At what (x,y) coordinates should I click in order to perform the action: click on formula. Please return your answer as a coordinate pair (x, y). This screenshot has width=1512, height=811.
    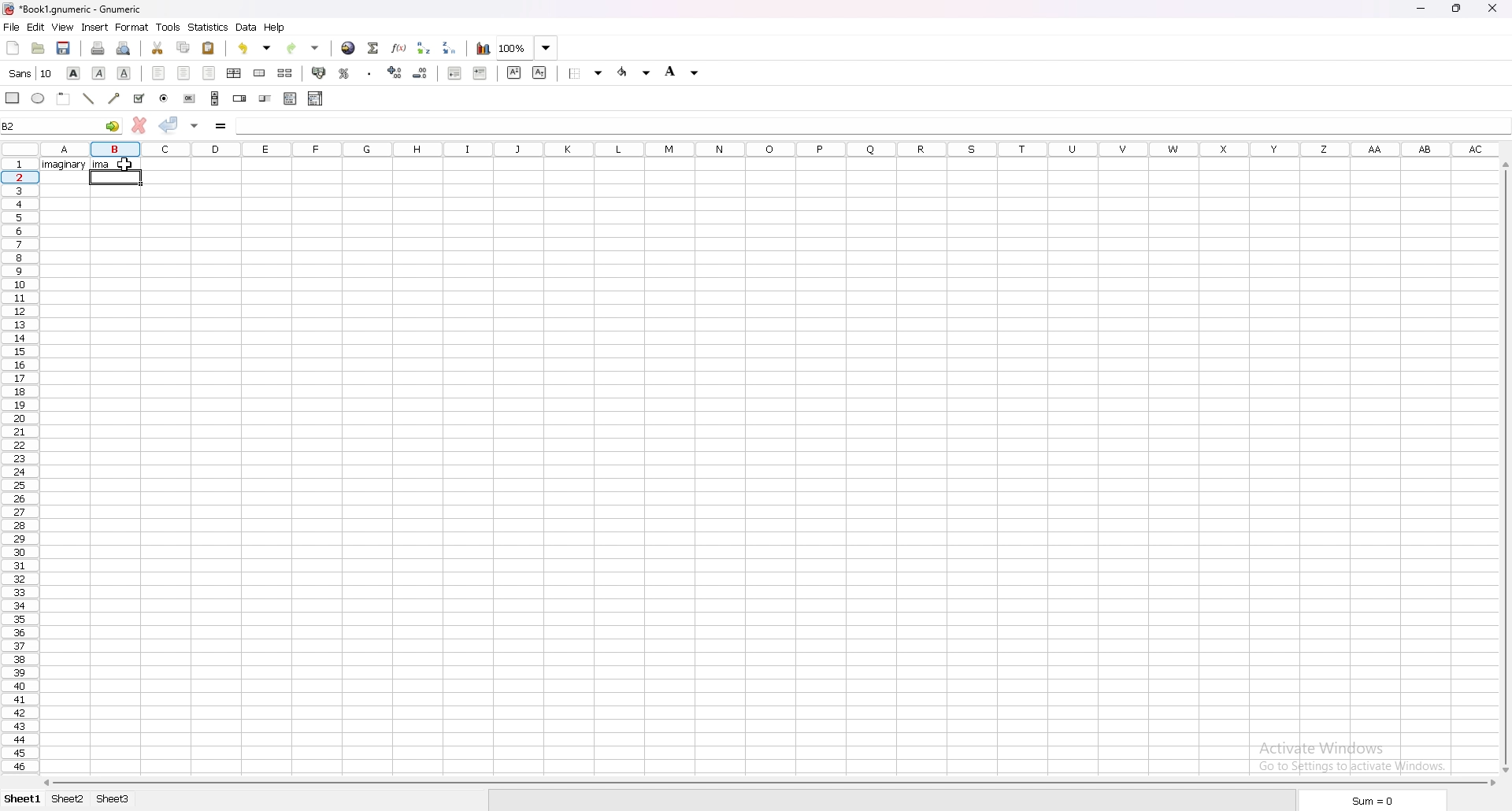
    Looking at the image, I should click on (222, 125).